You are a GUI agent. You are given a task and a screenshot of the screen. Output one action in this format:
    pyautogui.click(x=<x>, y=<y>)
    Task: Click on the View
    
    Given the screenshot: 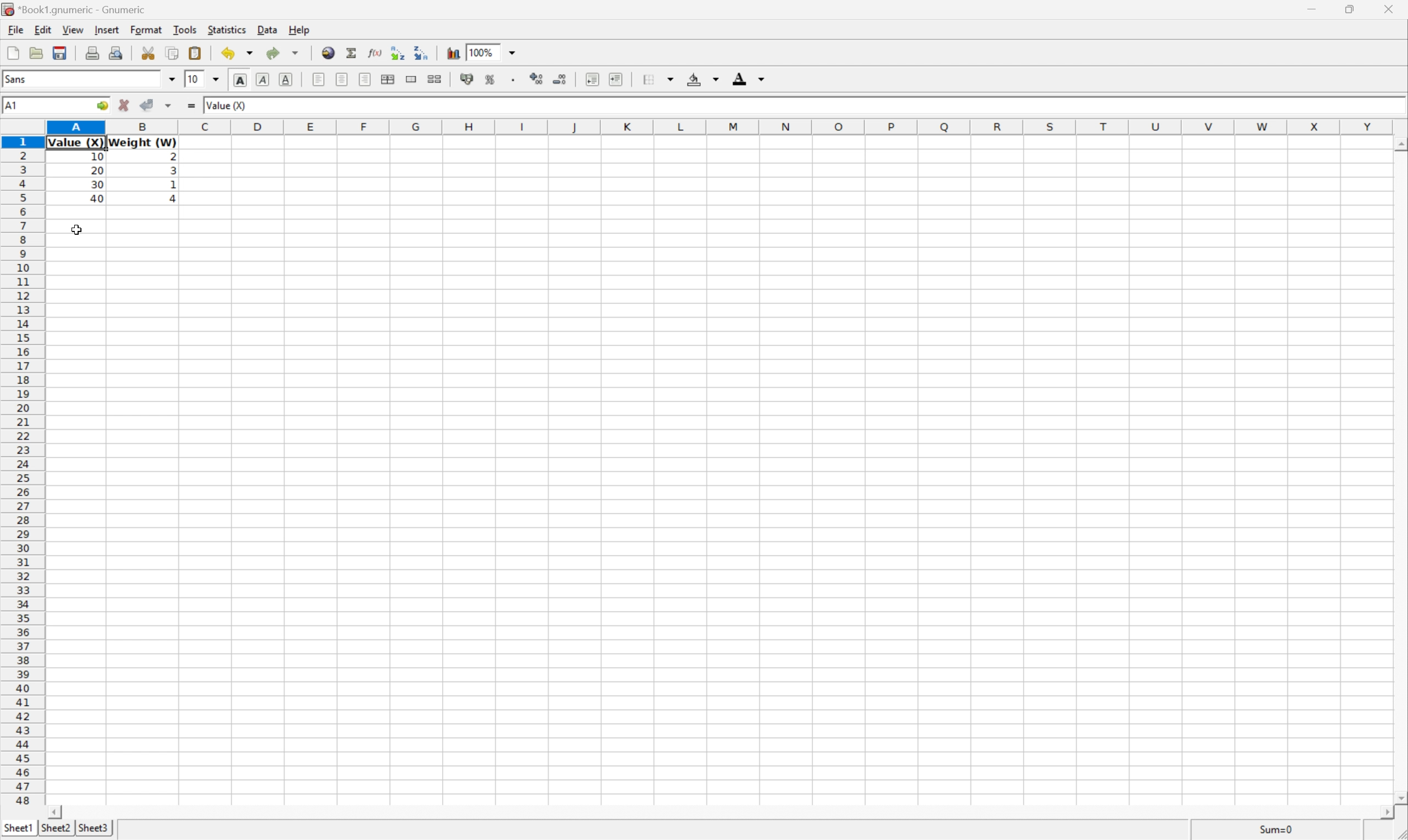 What is the action you would take?
    pyautogui.click(x=75, y=30)
    